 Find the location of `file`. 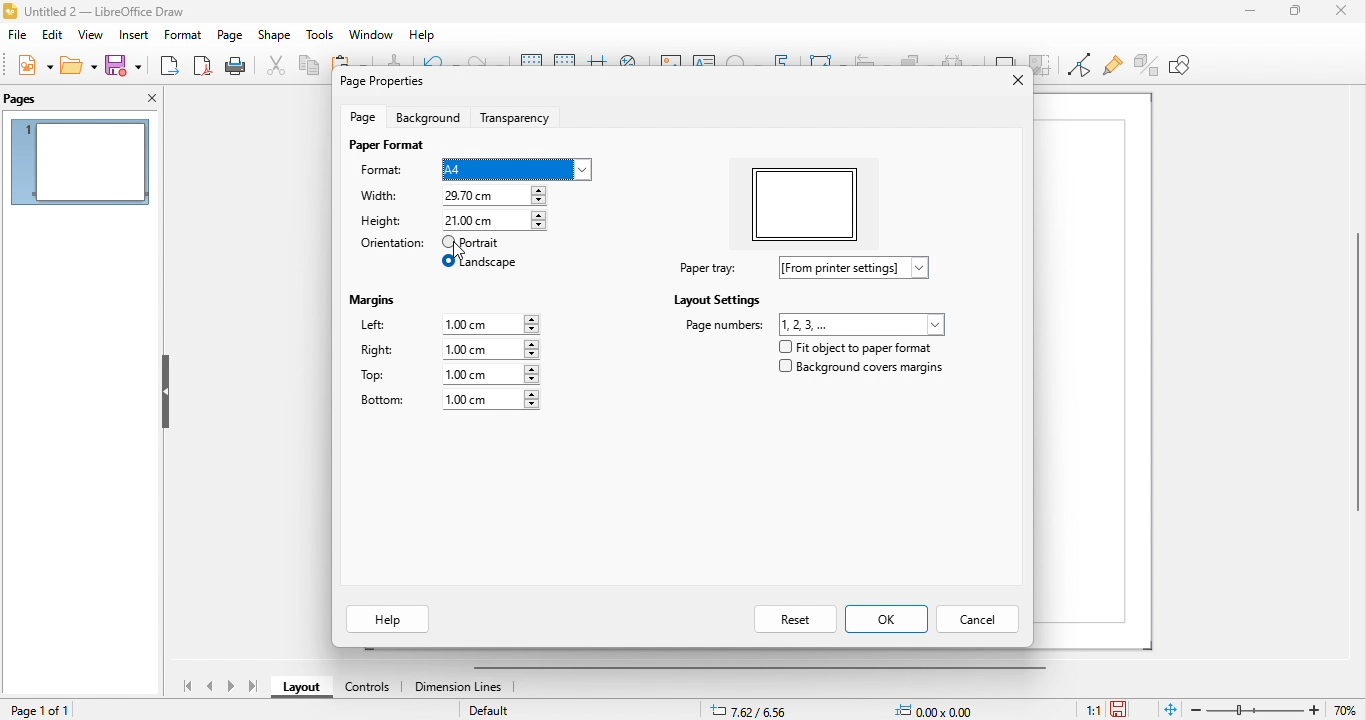

file is located at coordinates (17, 35).